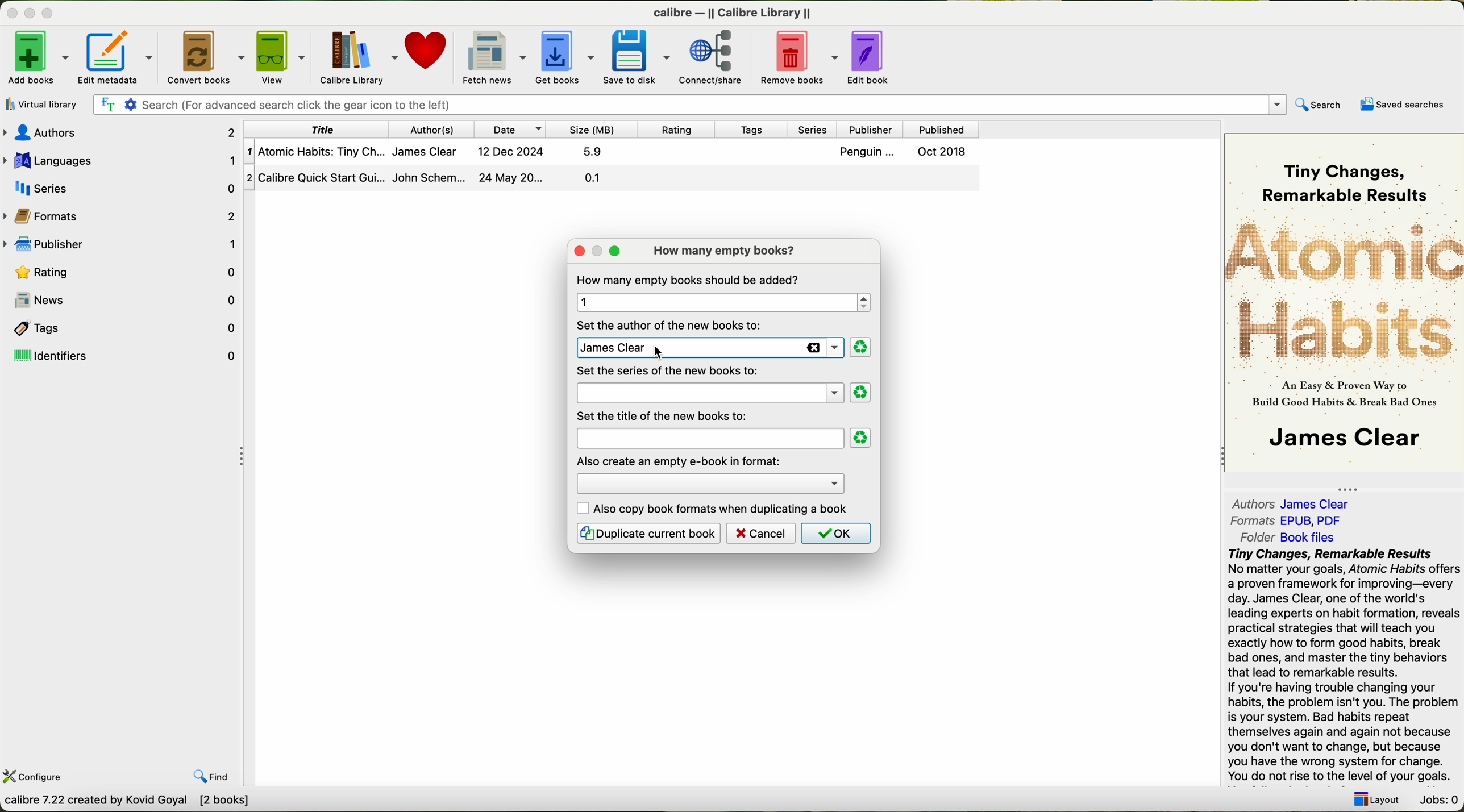 This screenshot has height=812, width=1464. Describe the element at coordinates (439, 127) in the screenshot. I see `authors` at that location.